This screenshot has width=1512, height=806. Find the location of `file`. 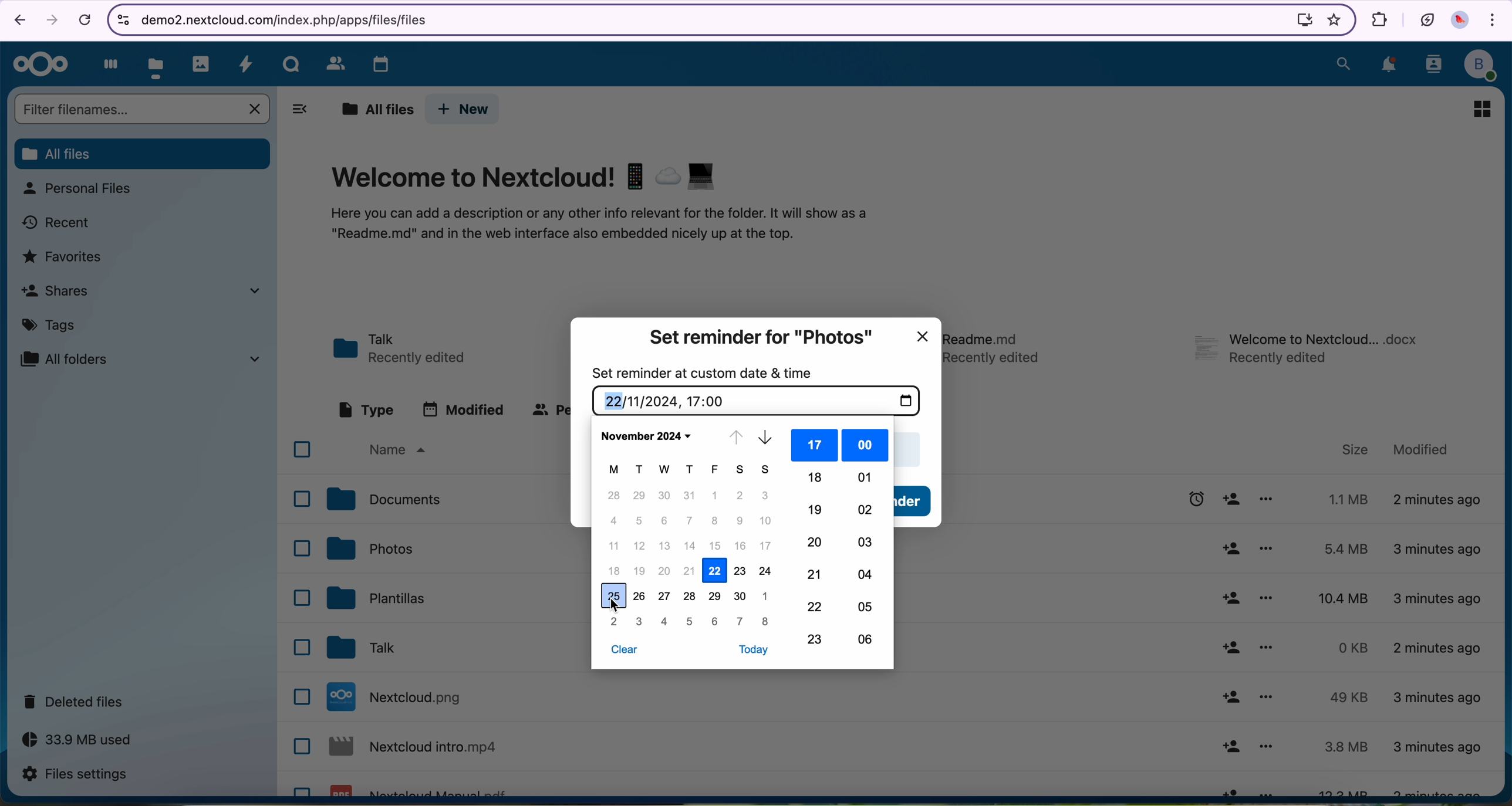

file is located at coordinates (997, 346).